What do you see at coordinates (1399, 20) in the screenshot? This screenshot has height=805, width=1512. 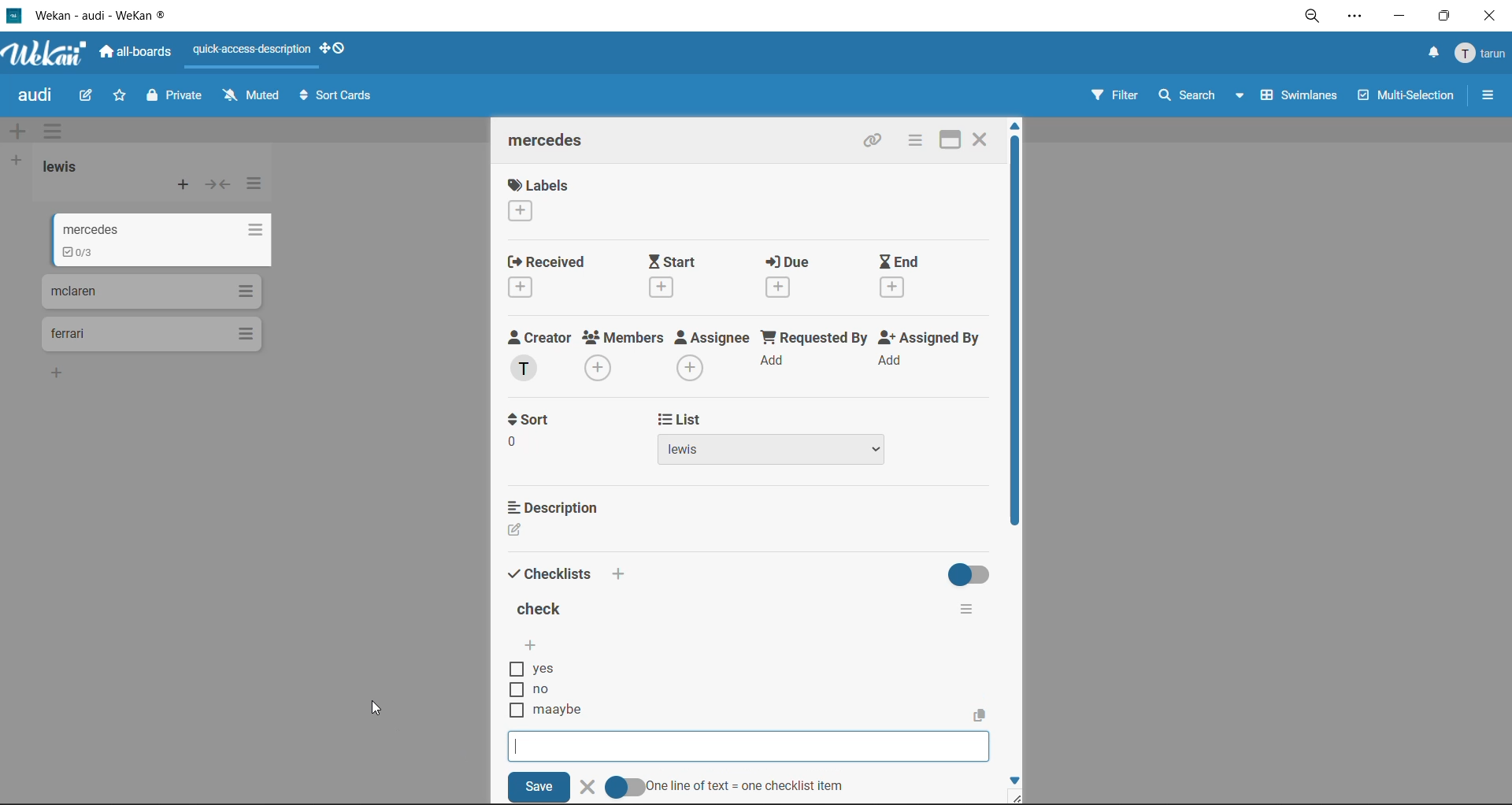 I see `minimize` at bounding box center [1399, 20].